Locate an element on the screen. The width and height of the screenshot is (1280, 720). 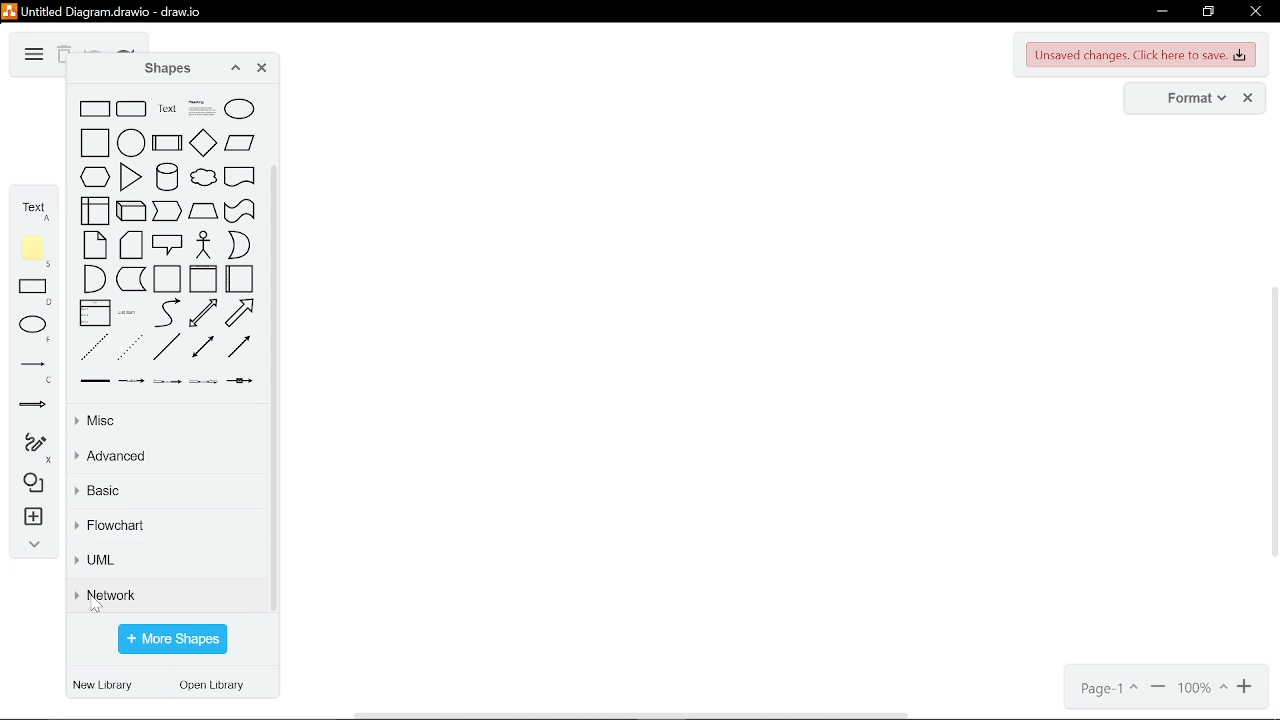
arrows is located at coordinates (33, 408).